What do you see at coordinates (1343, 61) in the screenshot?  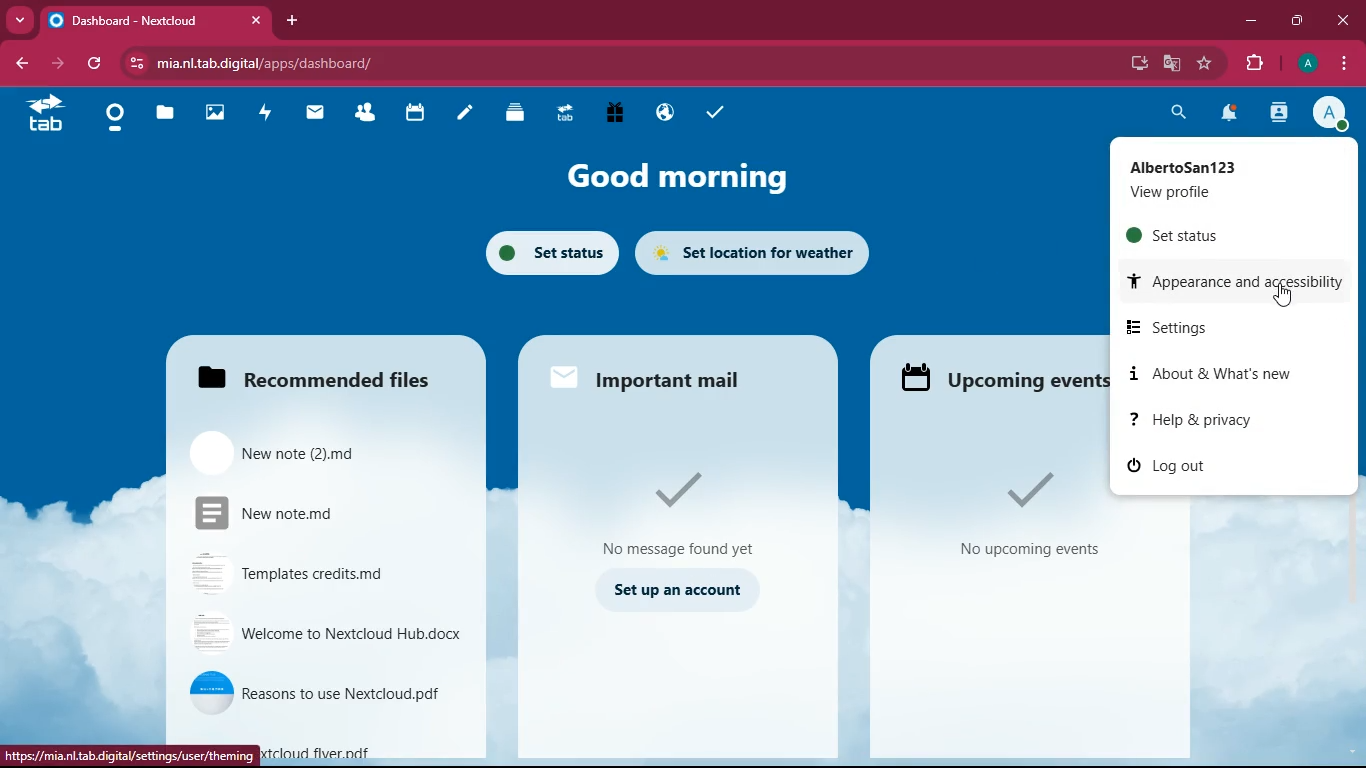 I see `menu` at bounding box center [1343, 61].